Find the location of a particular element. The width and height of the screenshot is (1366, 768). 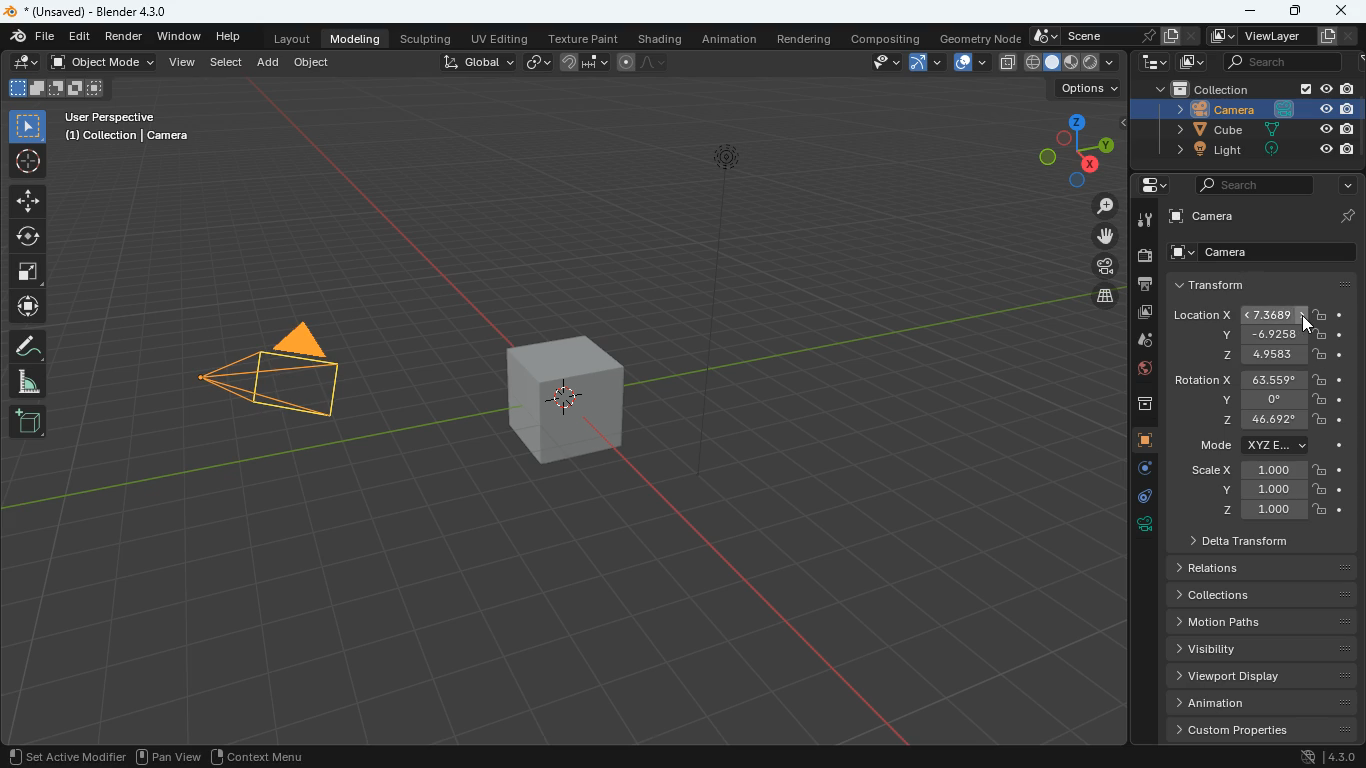

cursor is located at coordinates (1307, 327).